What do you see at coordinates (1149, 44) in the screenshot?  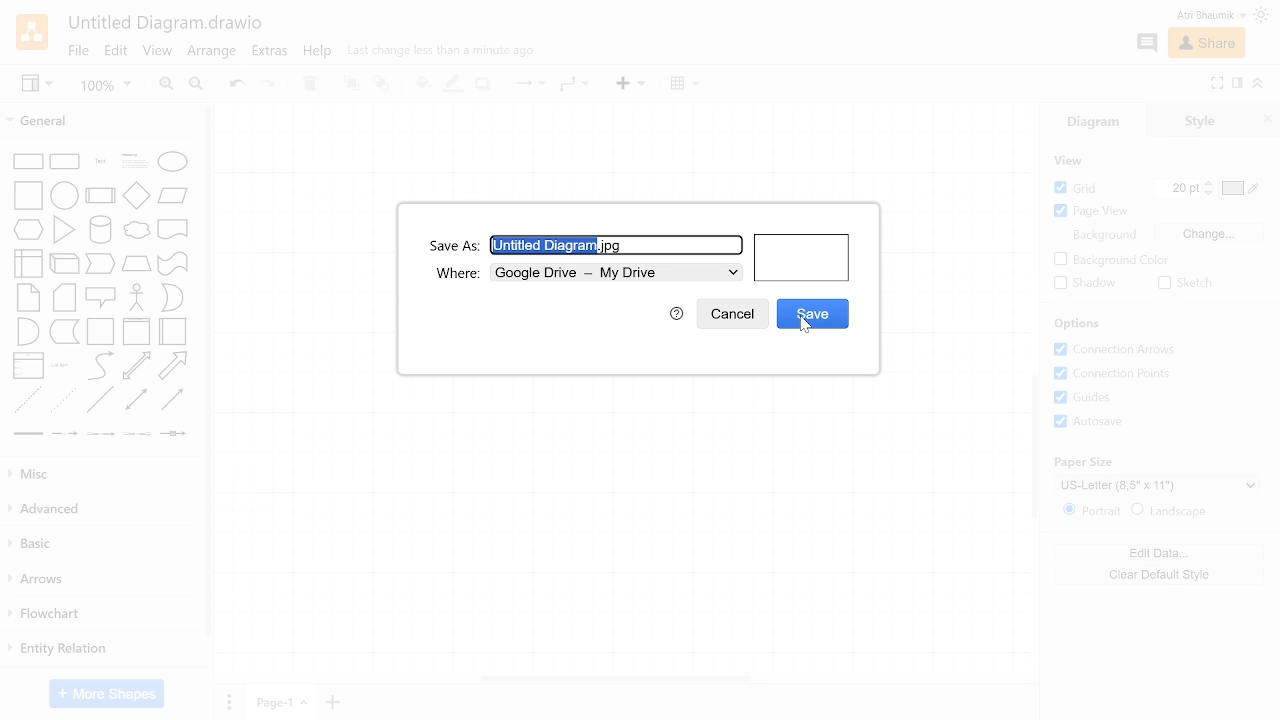 I see `Comment` at bounding box center [1149, 44].